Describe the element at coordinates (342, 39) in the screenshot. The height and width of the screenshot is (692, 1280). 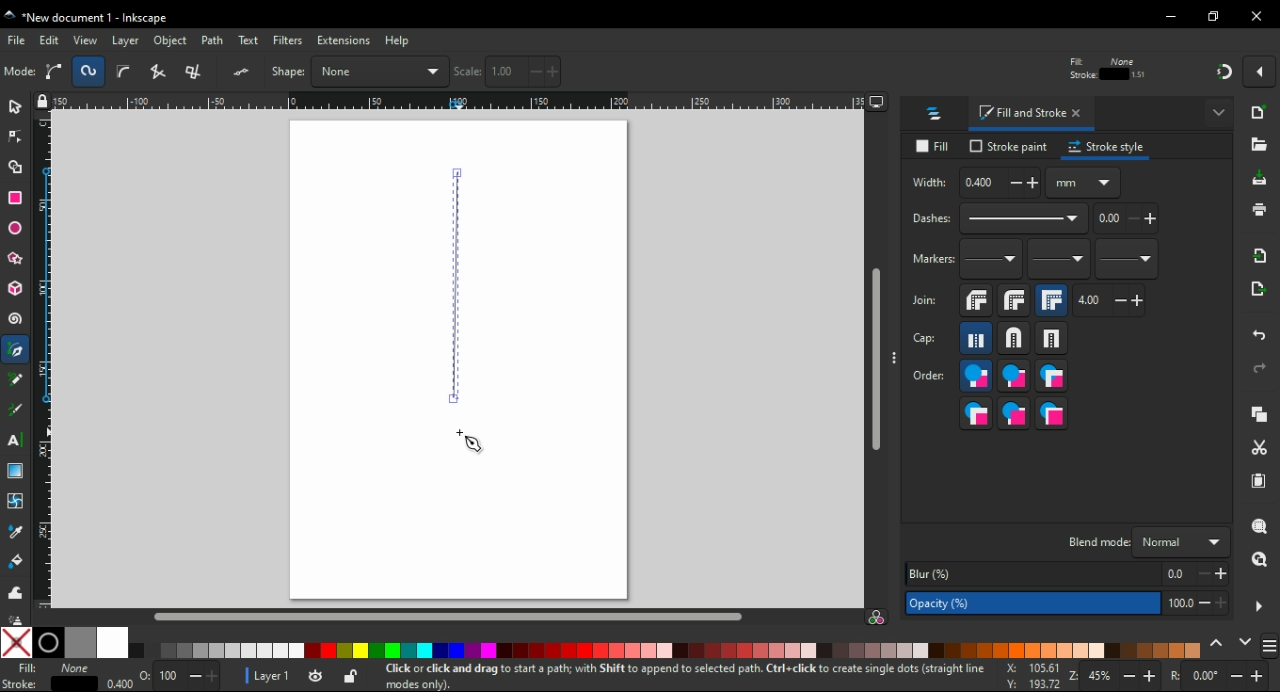
I see `extension` at that location.